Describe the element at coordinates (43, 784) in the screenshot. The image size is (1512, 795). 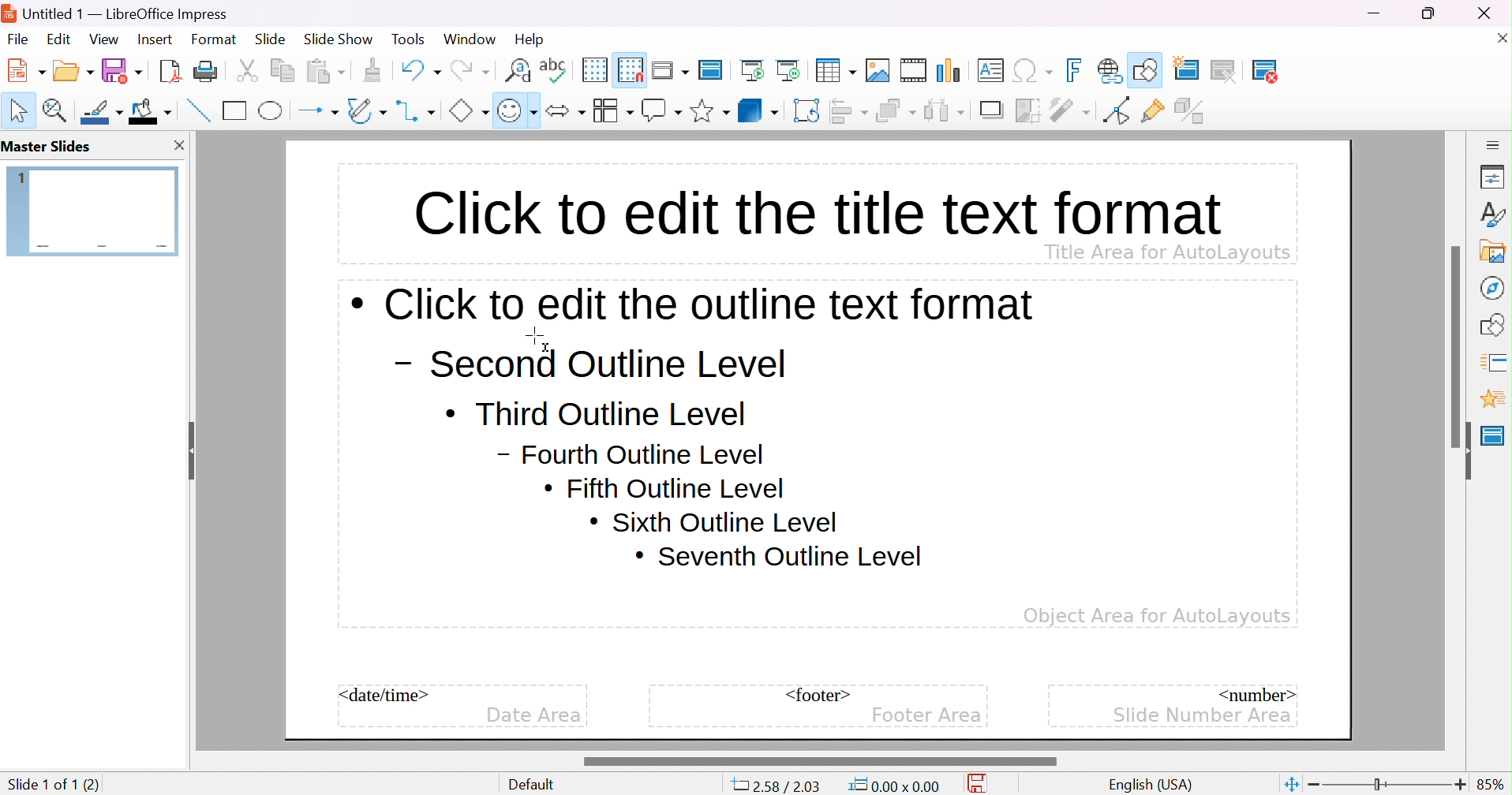
I see `slide 1 of 2` at that location.